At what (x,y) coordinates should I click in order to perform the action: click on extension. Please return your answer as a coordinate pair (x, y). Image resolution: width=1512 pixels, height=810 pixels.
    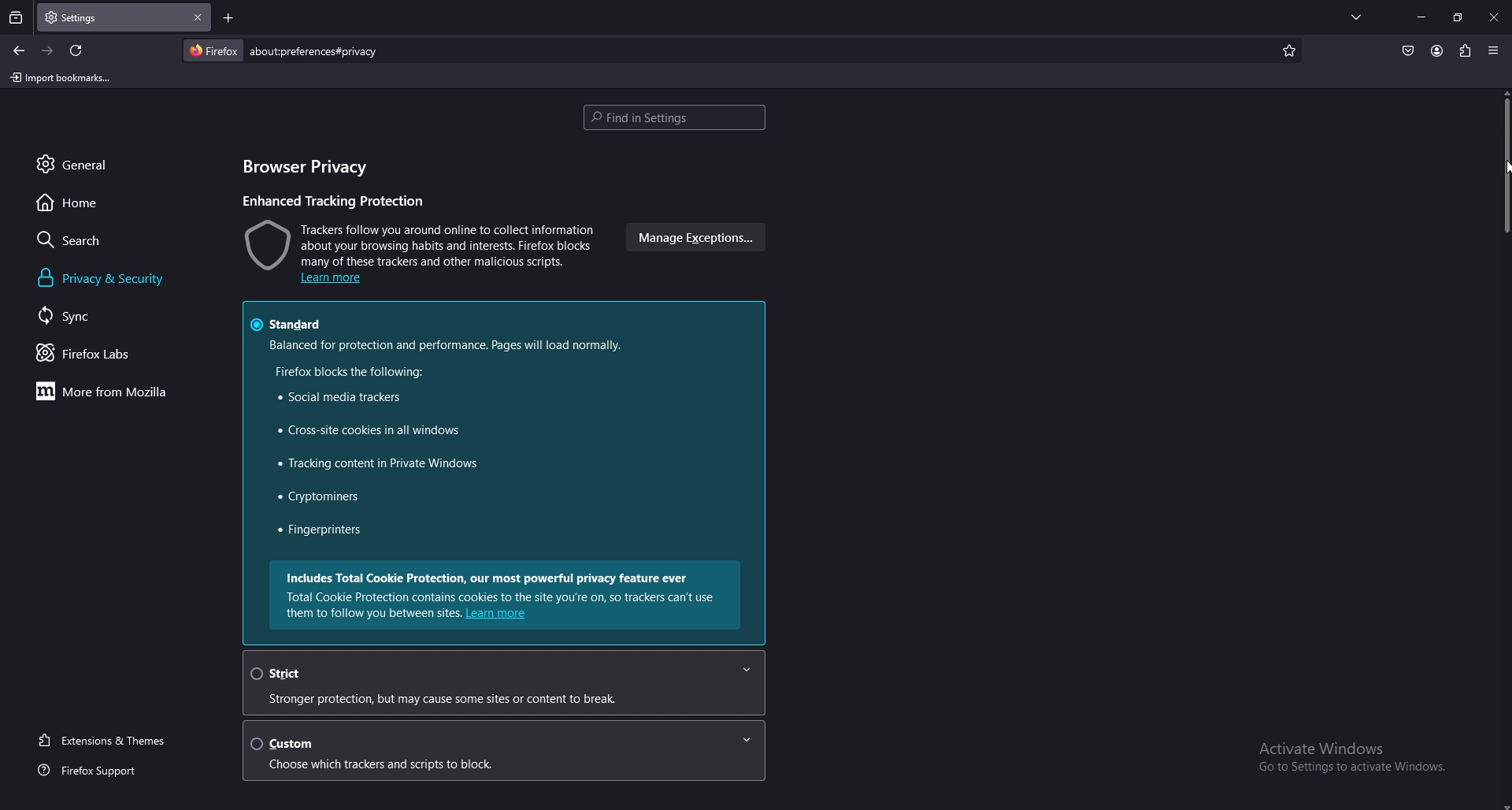
    Looking at the image, I should click on (1464, 50).